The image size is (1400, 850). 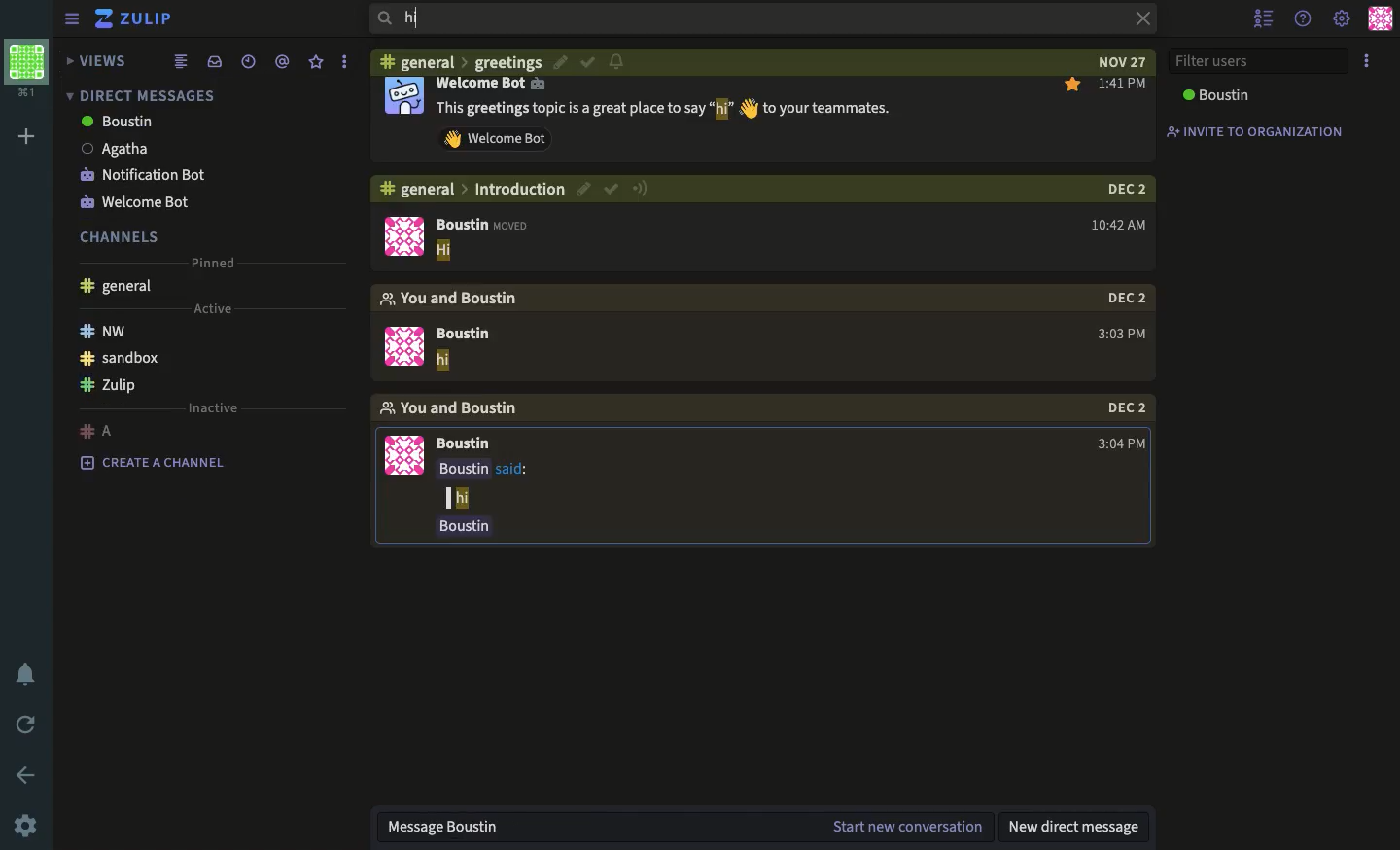 What do you see at coordinates (99, 432) in the screenshot?
I see `a` at bounding box center [99, 432].